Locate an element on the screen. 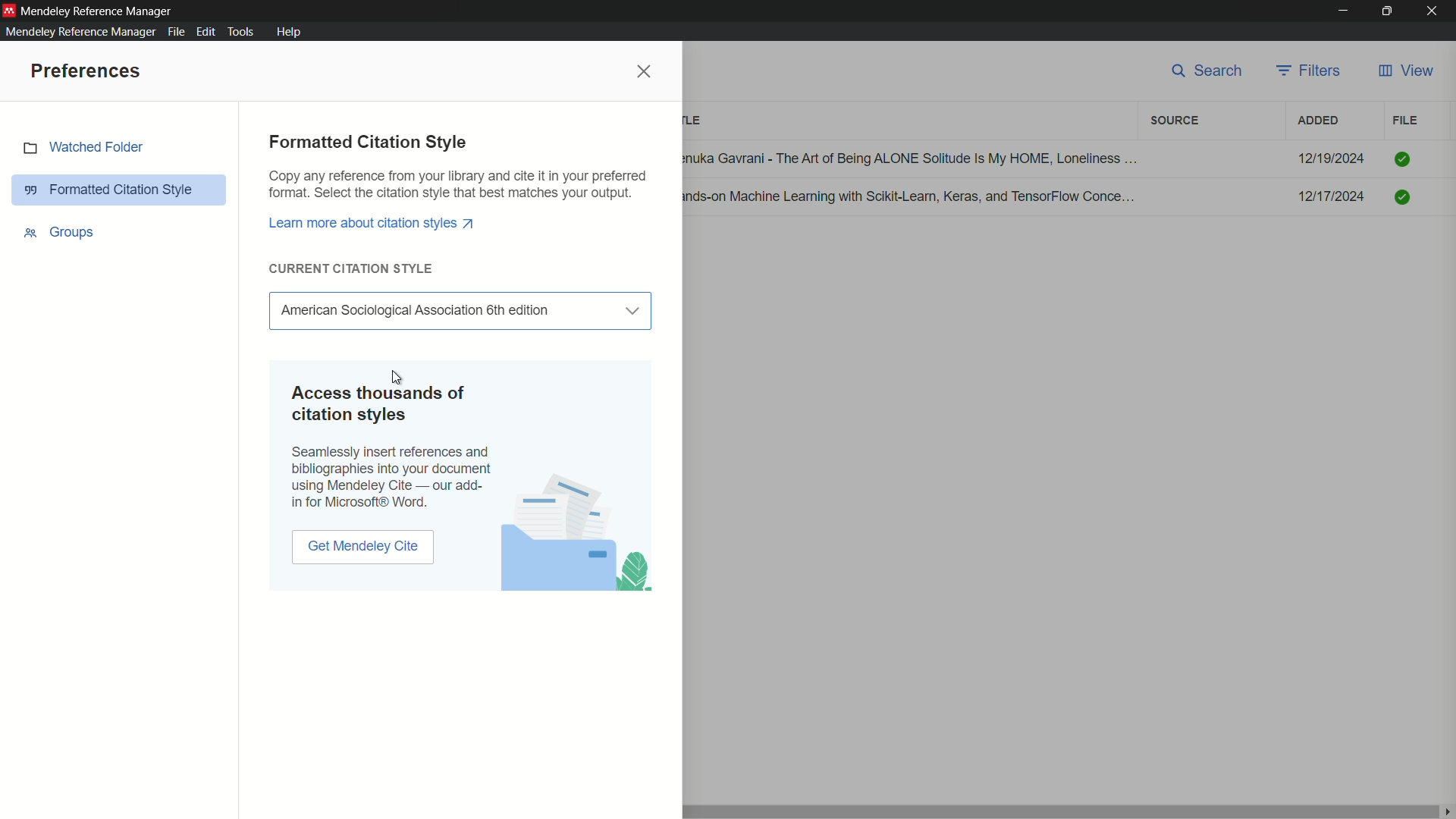 Image resolution: width=1456 pixels, height=819 pixels. help menu is located at coordinates (288, 31).